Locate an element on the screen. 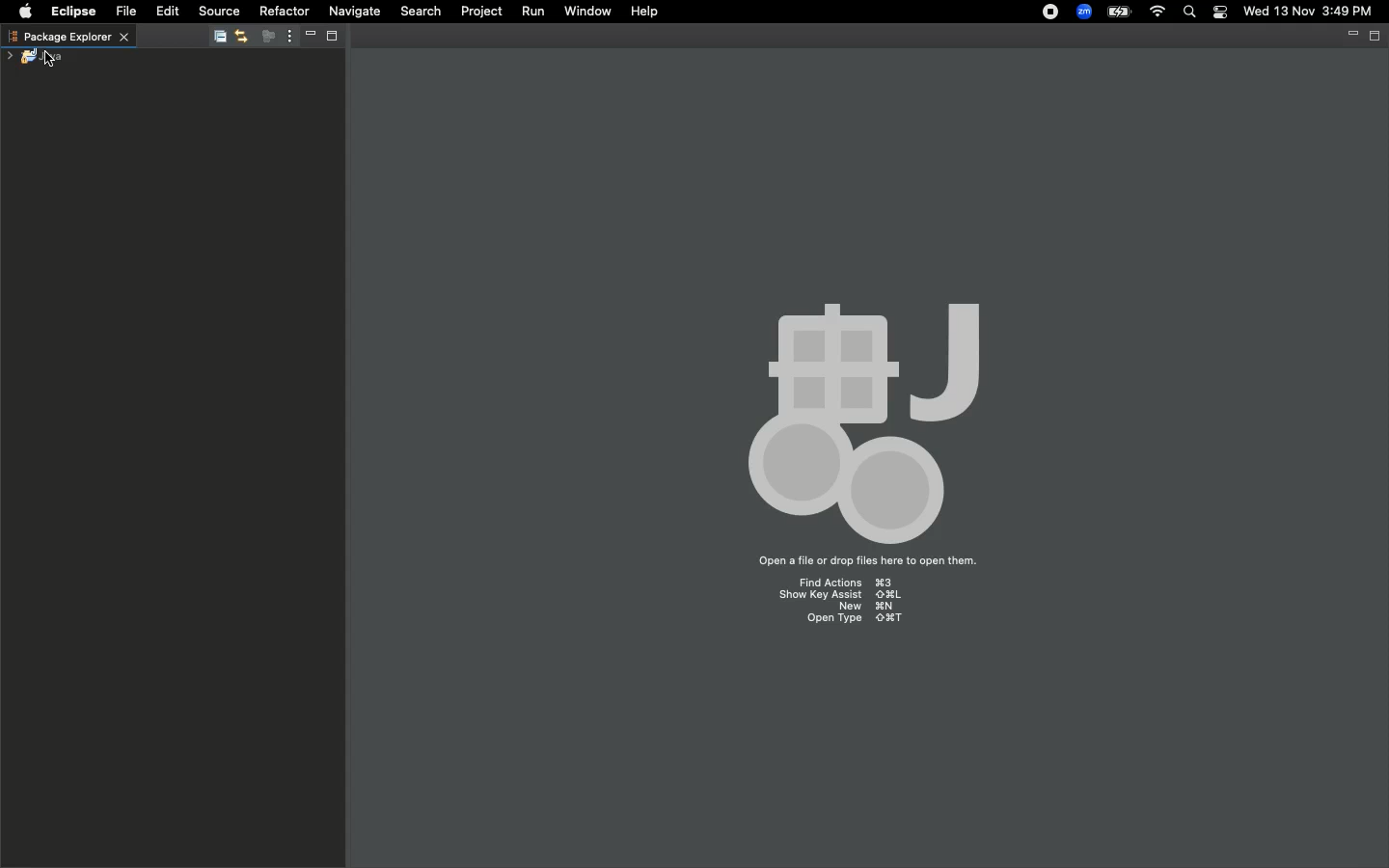 This screenshot has width=1389, height=868. Recording is located at coordinates (1051, 14).